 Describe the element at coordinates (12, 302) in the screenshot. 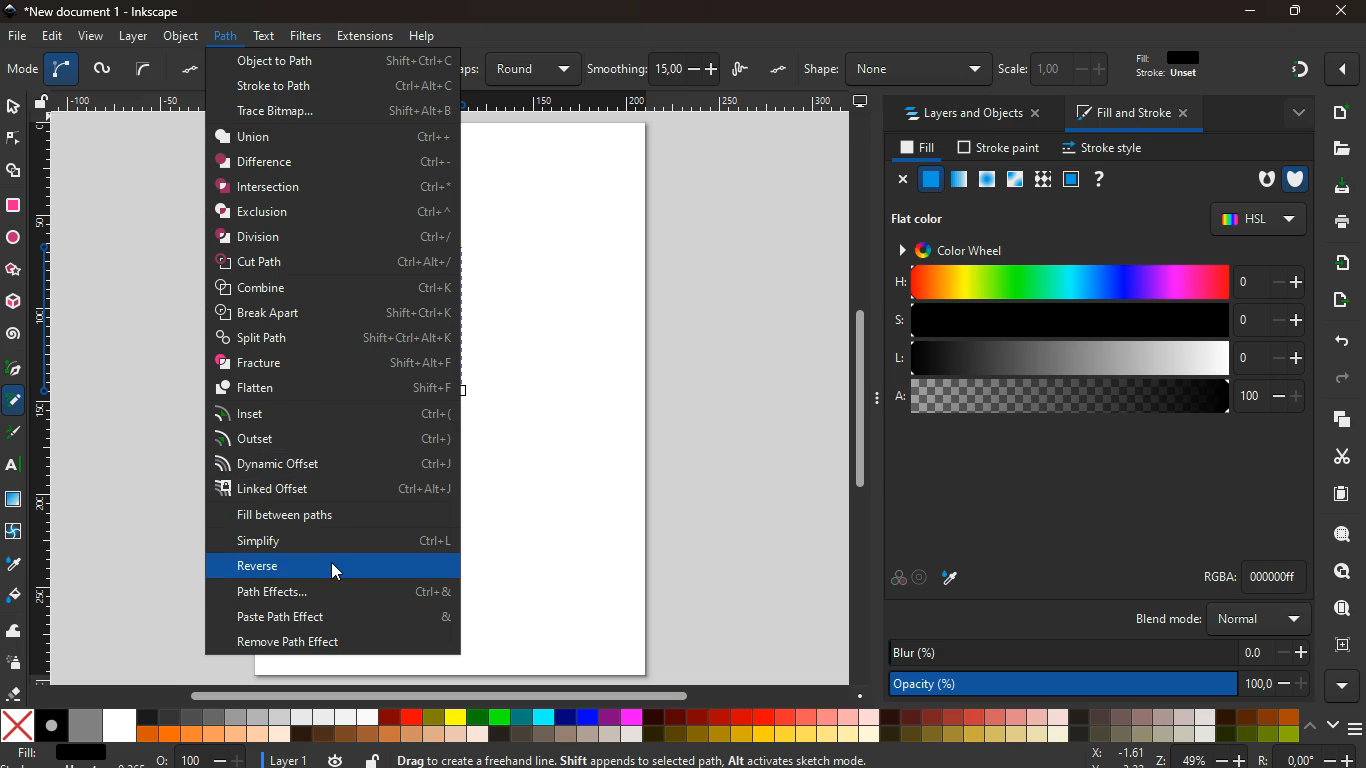

I see `3d tool` at that location.